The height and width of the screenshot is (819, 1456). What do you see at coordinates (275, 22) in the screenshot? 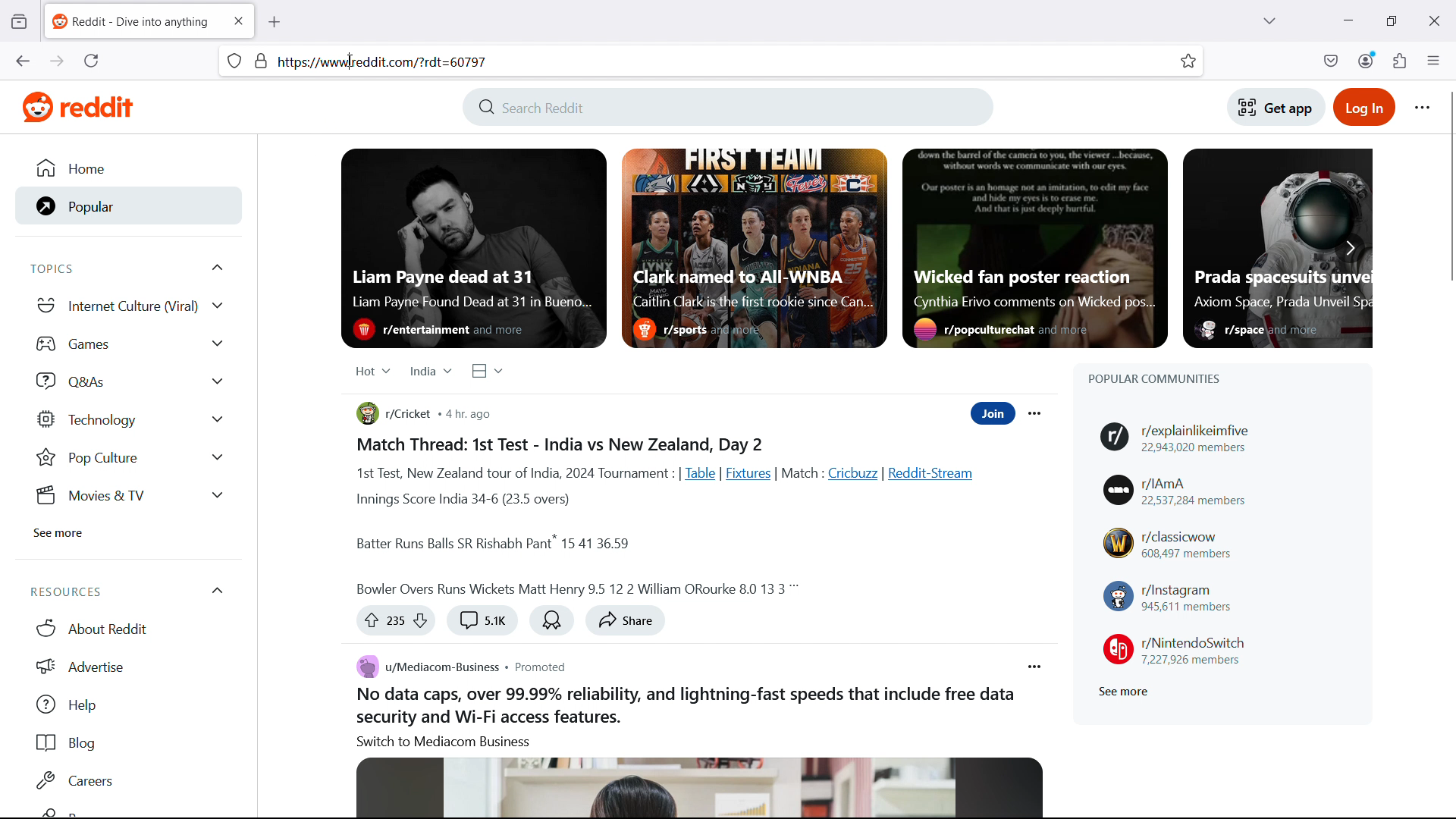
I see `new tab` at bounding box center [275, 22].